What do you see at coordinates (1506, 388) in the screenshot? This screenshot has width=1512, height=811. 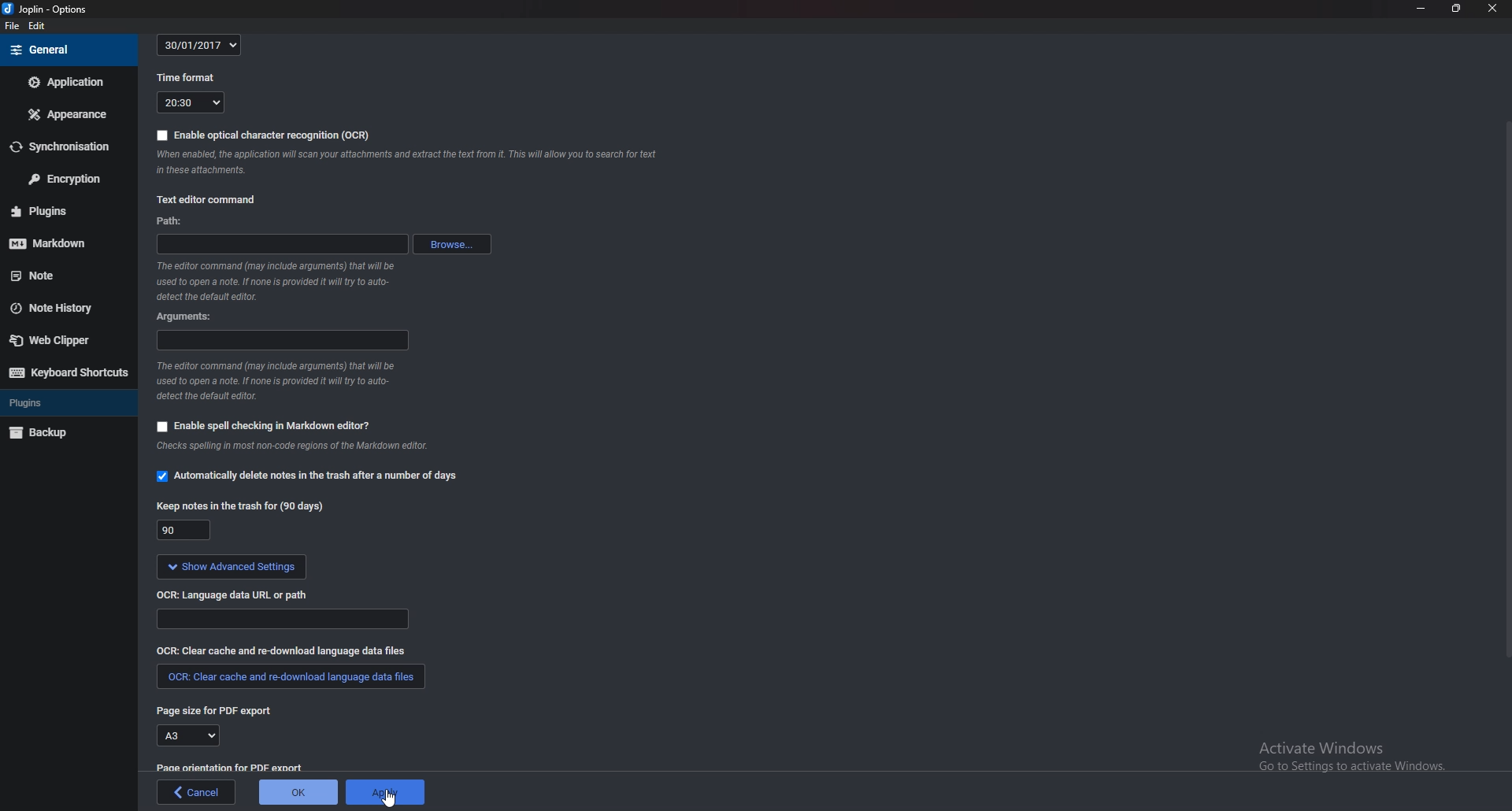 I see `Scroll bar` at bounding box center [1506, 388].